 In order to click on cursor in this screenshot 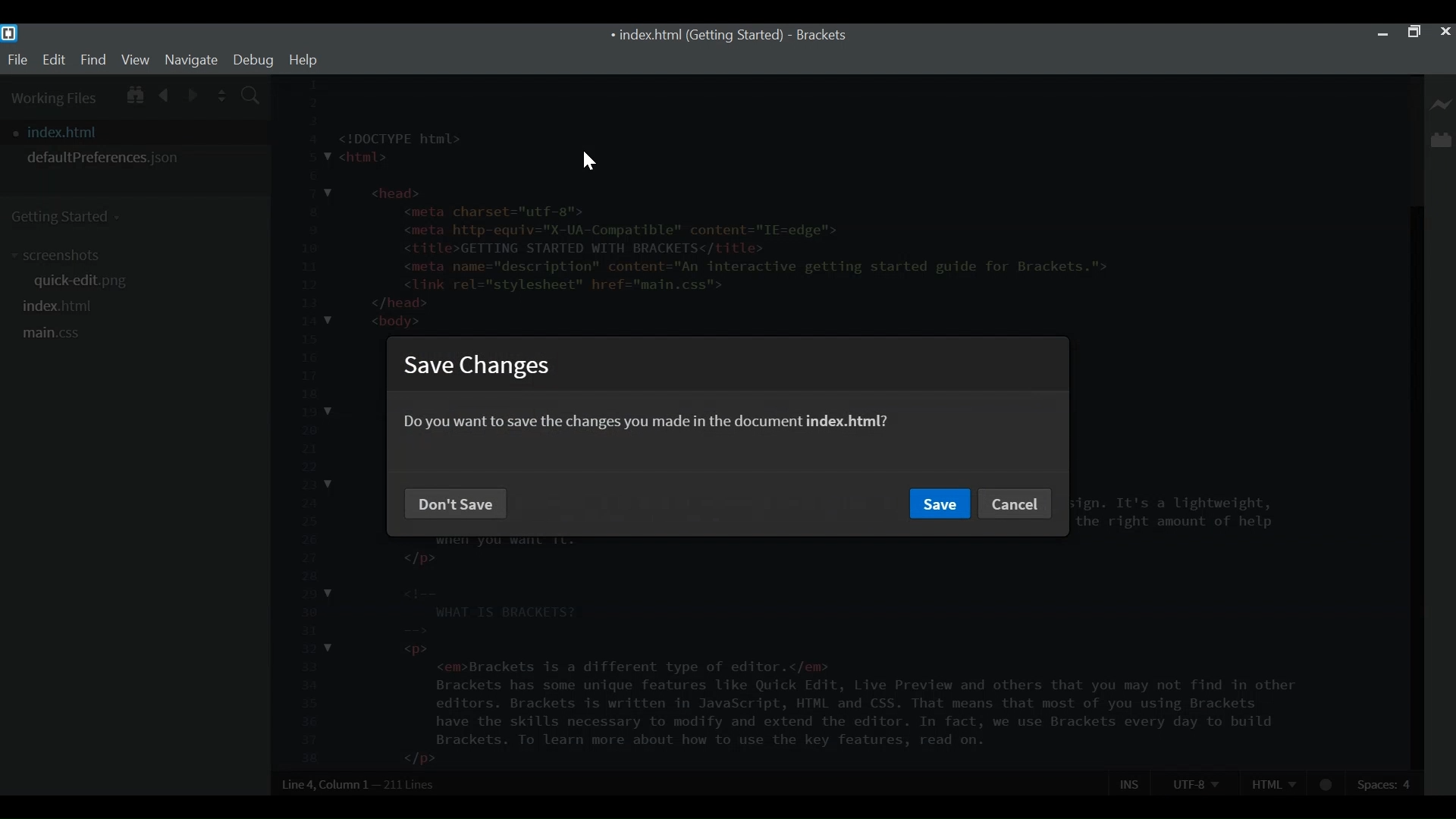, I will do `click(587, 160)`.